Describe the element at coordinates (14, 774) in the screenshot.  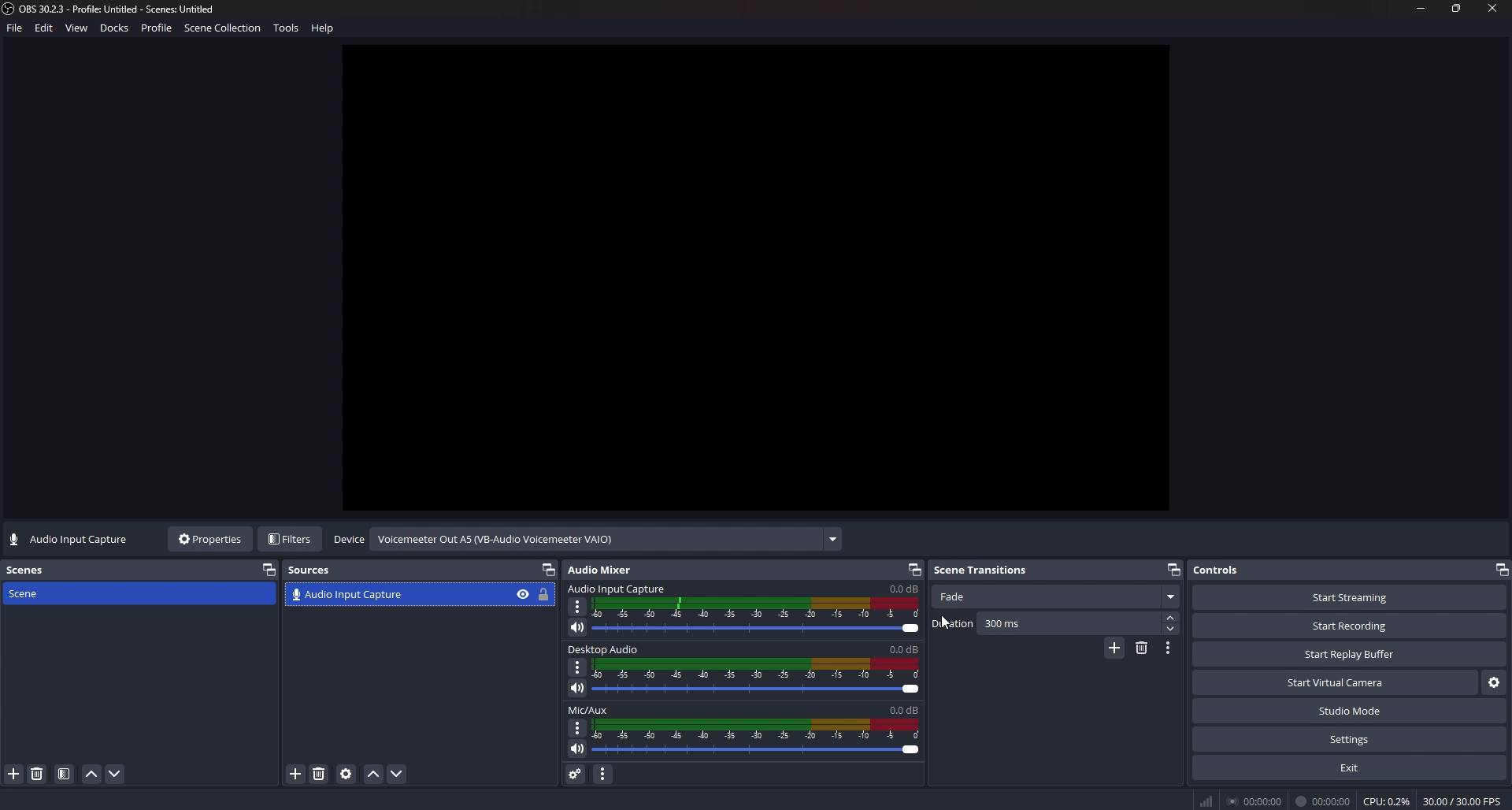
I see `add scene` at that location.